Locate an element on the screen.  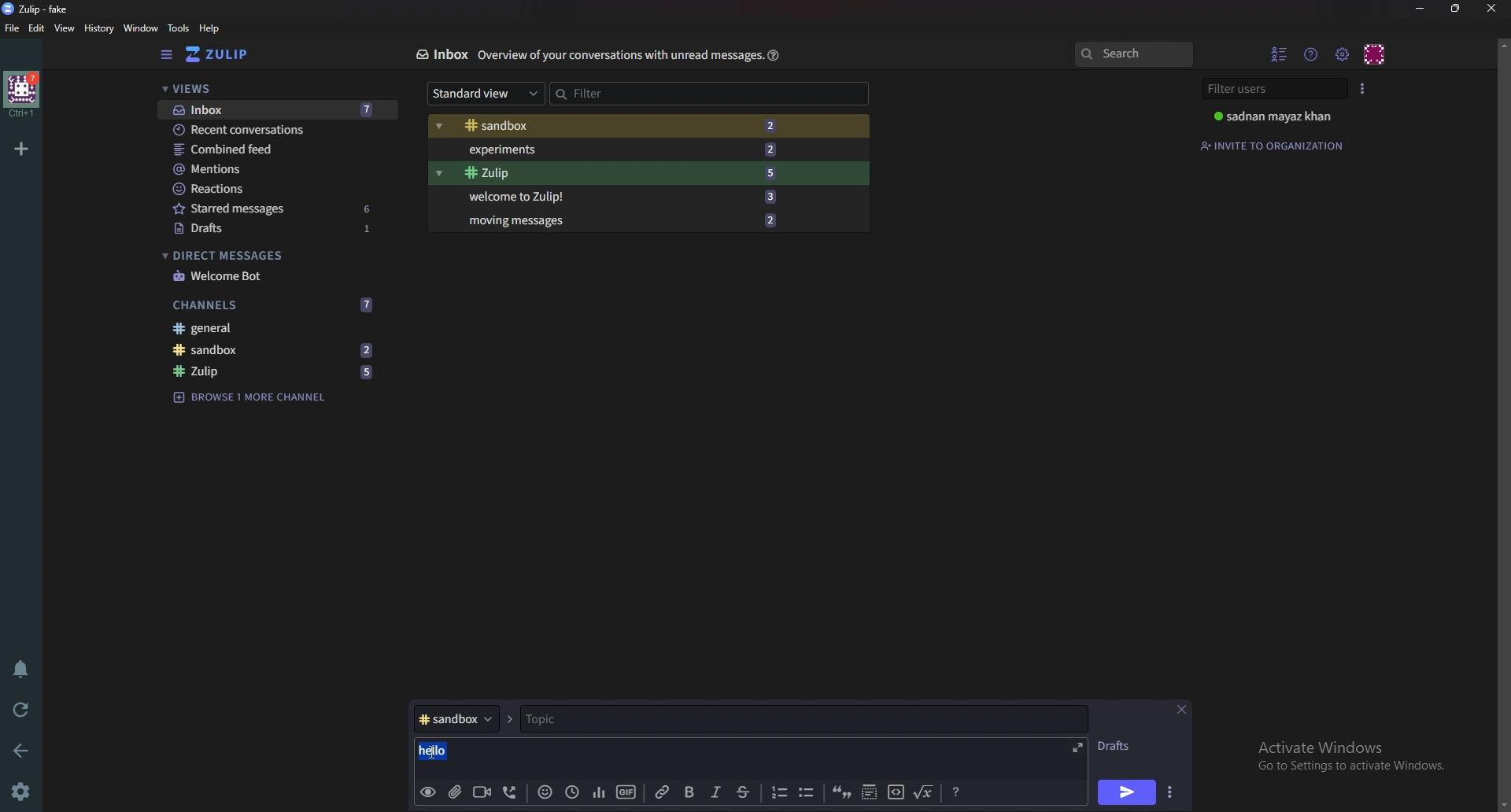
Send options is located at coordinates (1173, 790).